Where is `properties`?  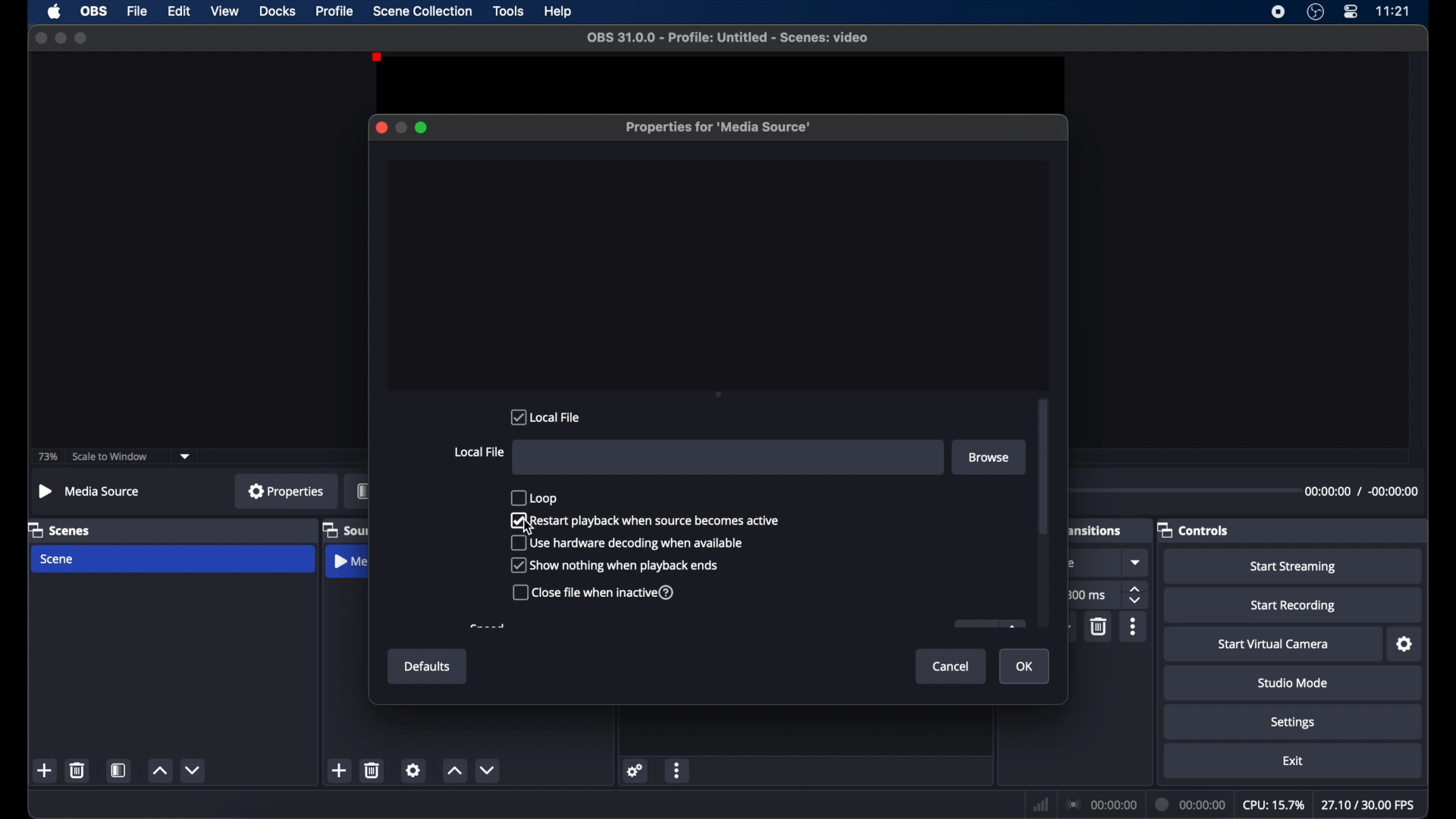 properties is located at coordinates (287, 491).